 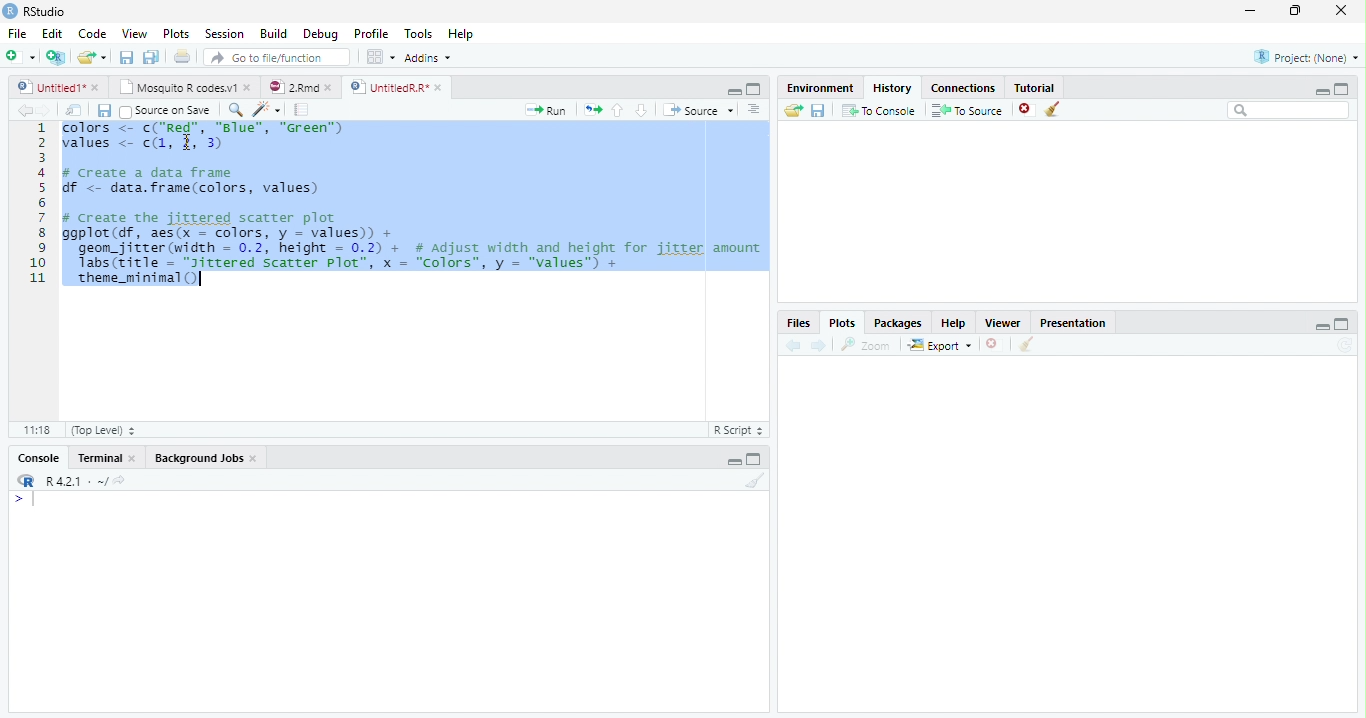 What do you see at coordinates (799, 323) in the screenshot?
I see `Files` at bounding box center [799, 323].